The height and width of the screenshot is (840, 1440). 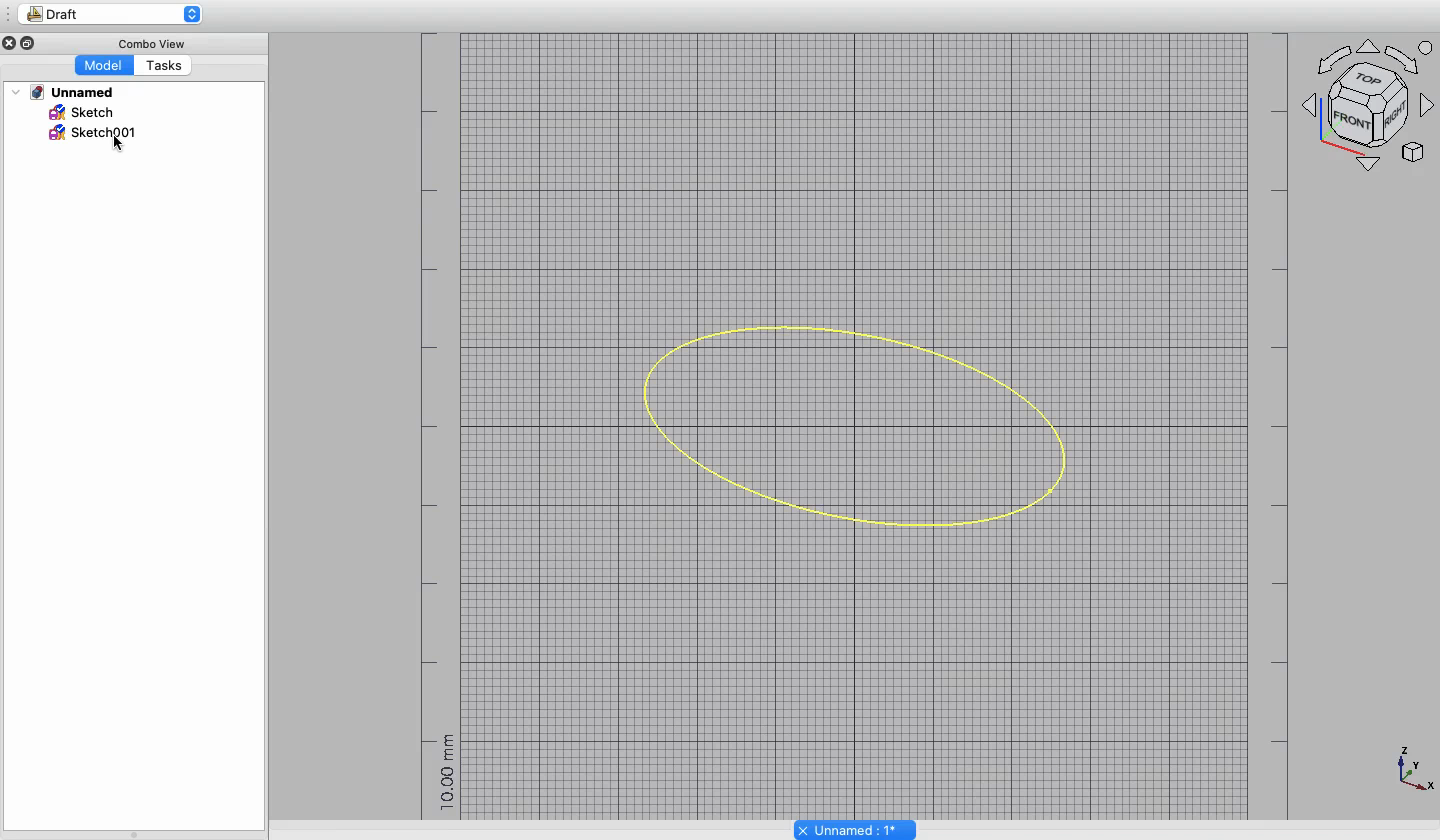 I want to click on Unnamed, so click(x=69, y=91).